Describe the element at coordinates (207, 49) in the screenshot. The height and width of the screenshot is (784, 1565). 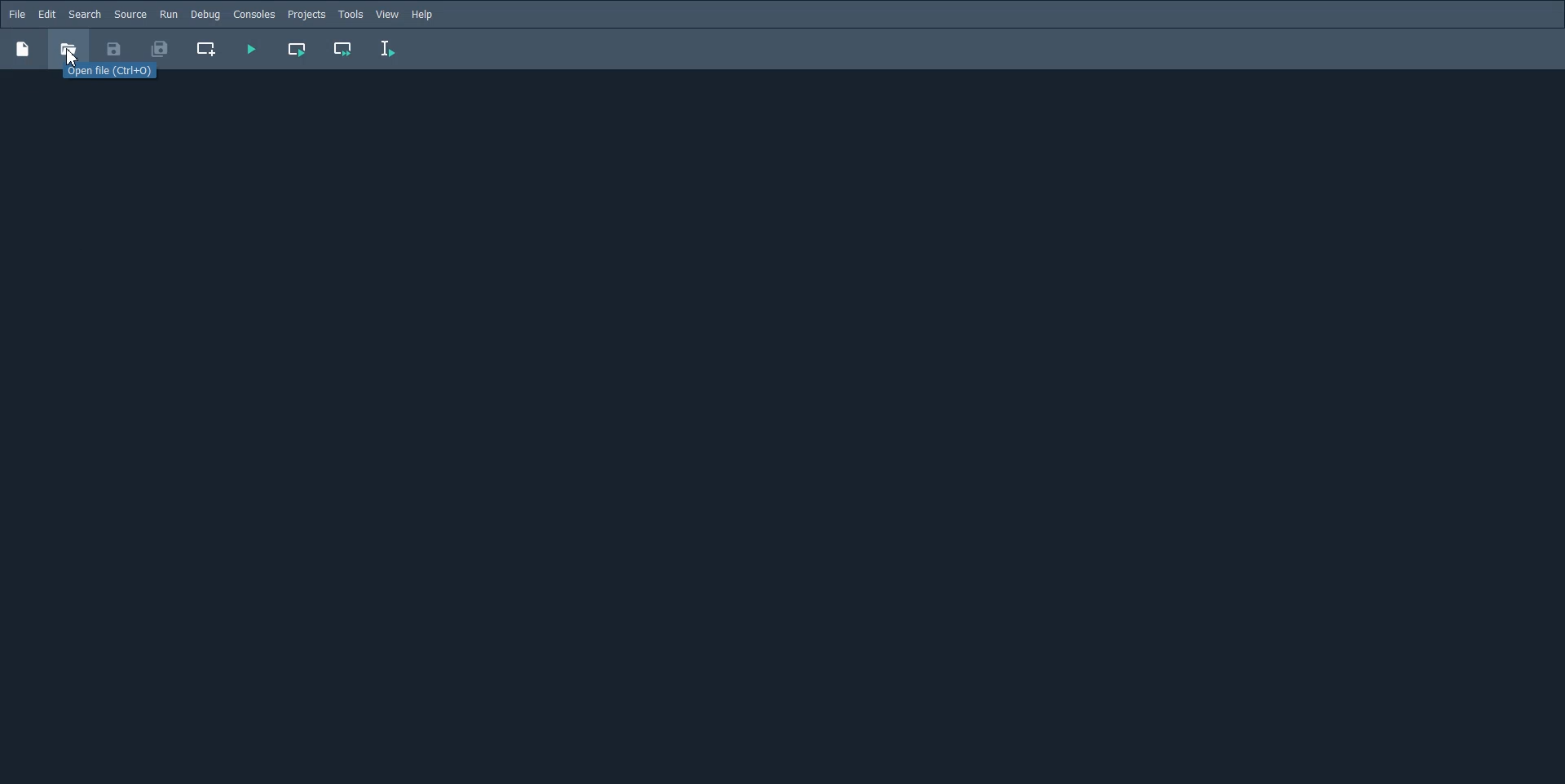
I see `Create new cell` at that location.